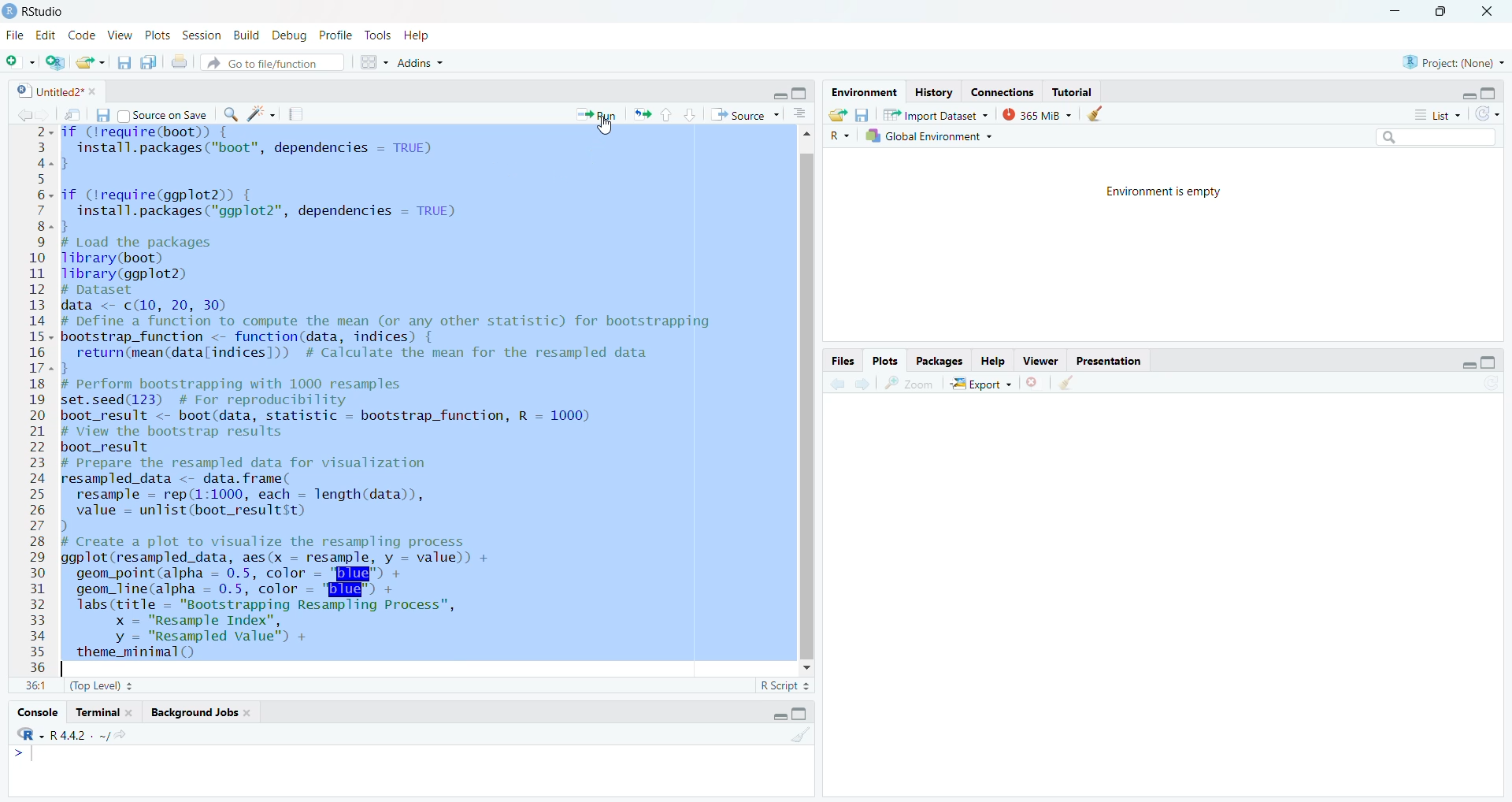  Describe the element at coordinates (1114, 362) in the screenshot. I see `Presentation` at that location.